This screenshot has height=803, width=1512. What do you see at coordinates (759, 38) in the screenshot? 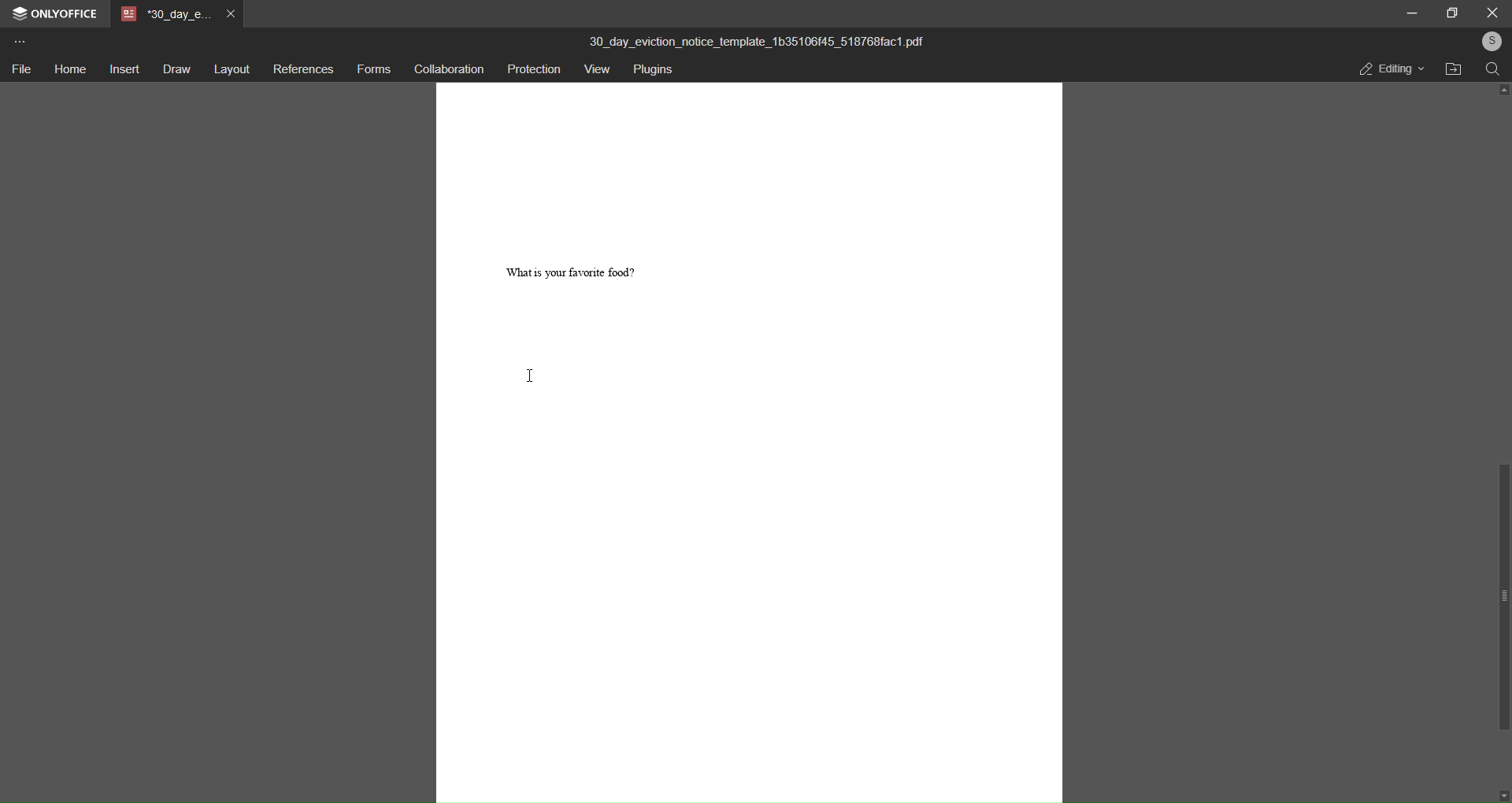
I see `title` at bounding box center [759, 38].